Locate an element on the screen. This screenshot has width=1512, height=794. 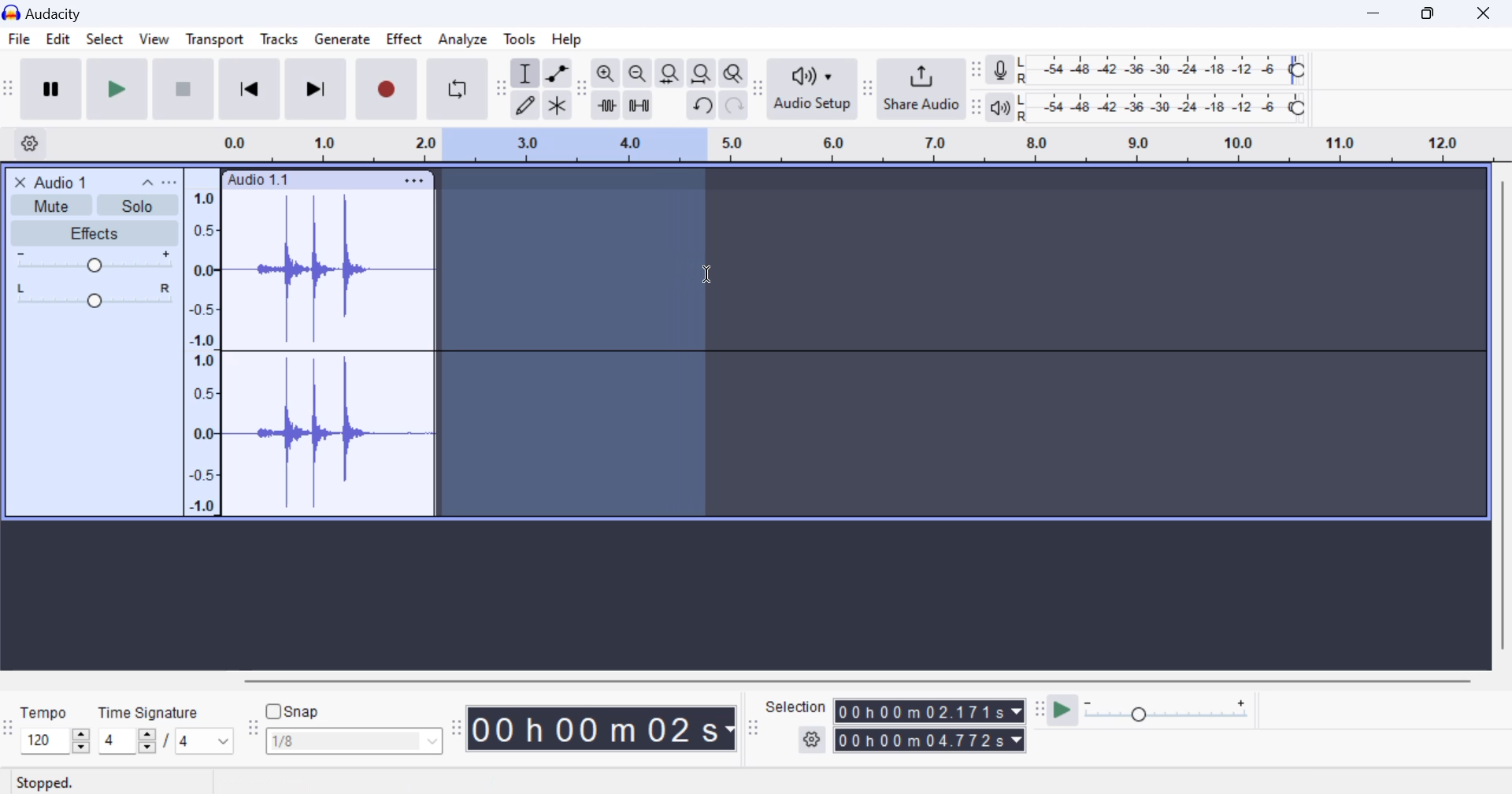
Analyze is located at coordinates (463, 39).